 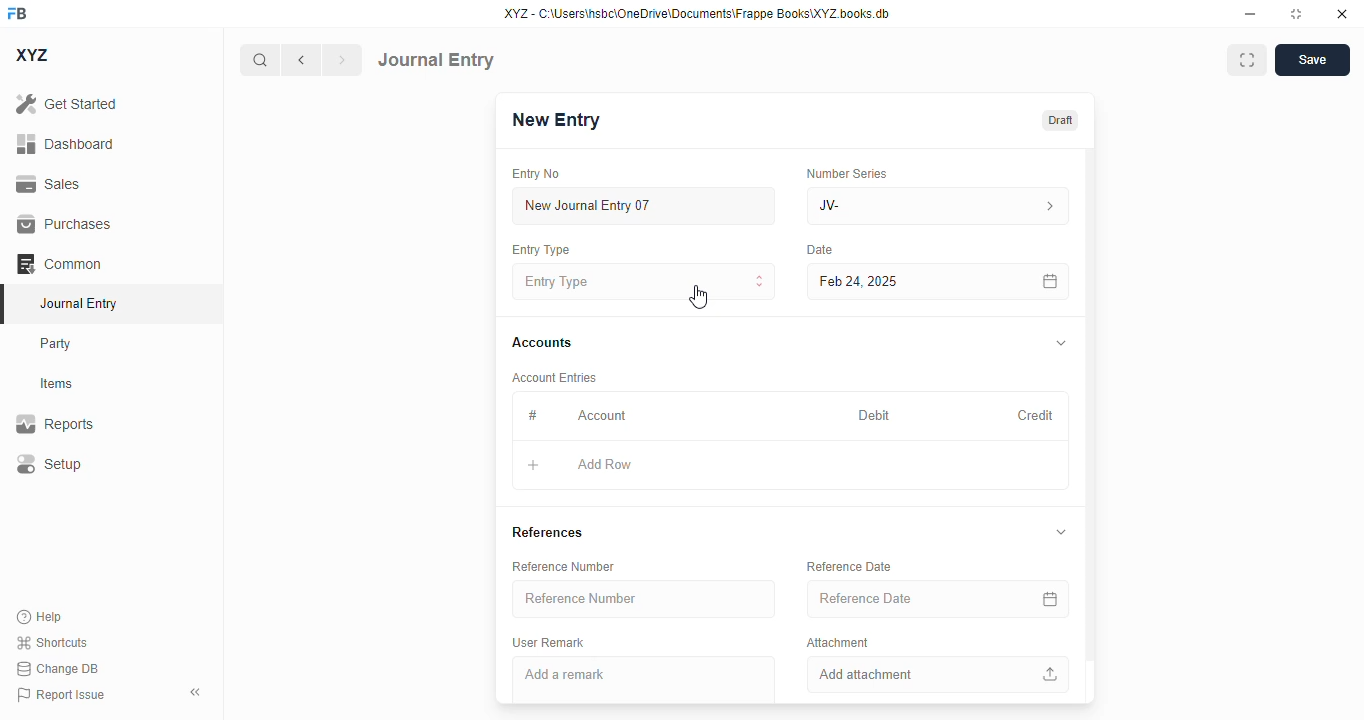 What do you see at coordinates (343, 60) in the screenshot?
I see `next` at bounding box center [343, 60].